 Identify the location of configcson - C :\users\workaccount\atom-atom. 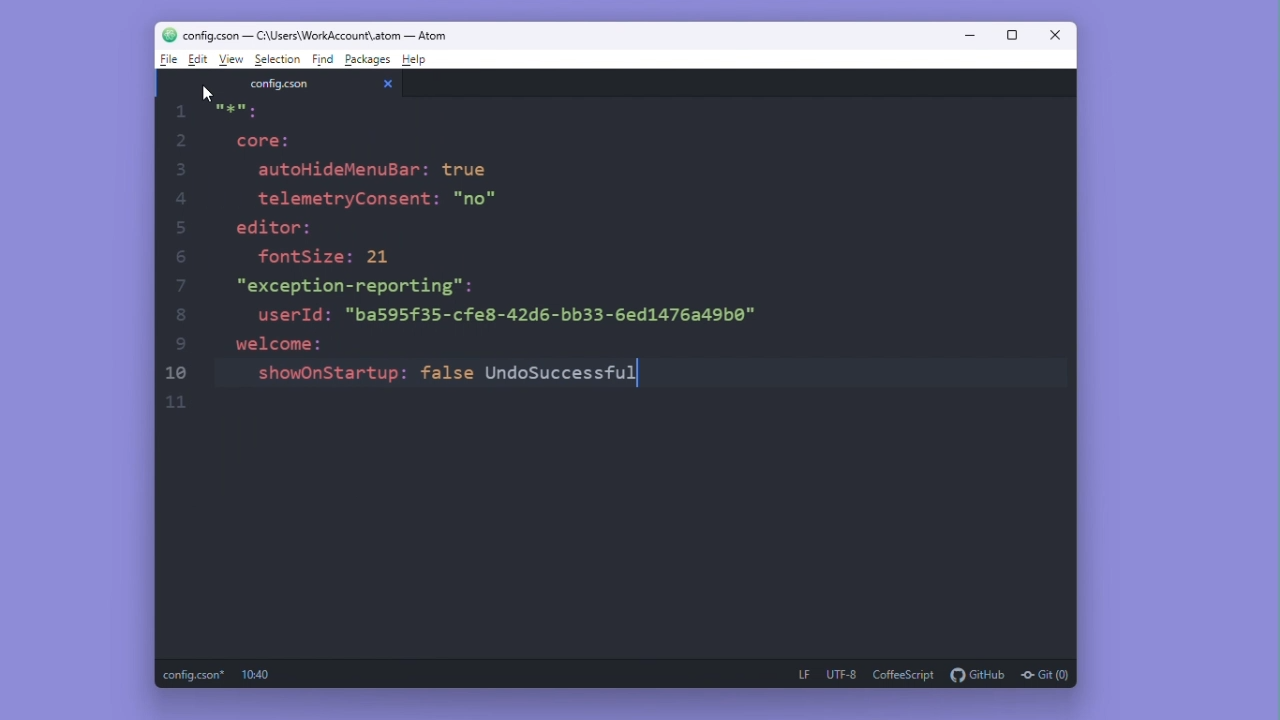
(327, 35).